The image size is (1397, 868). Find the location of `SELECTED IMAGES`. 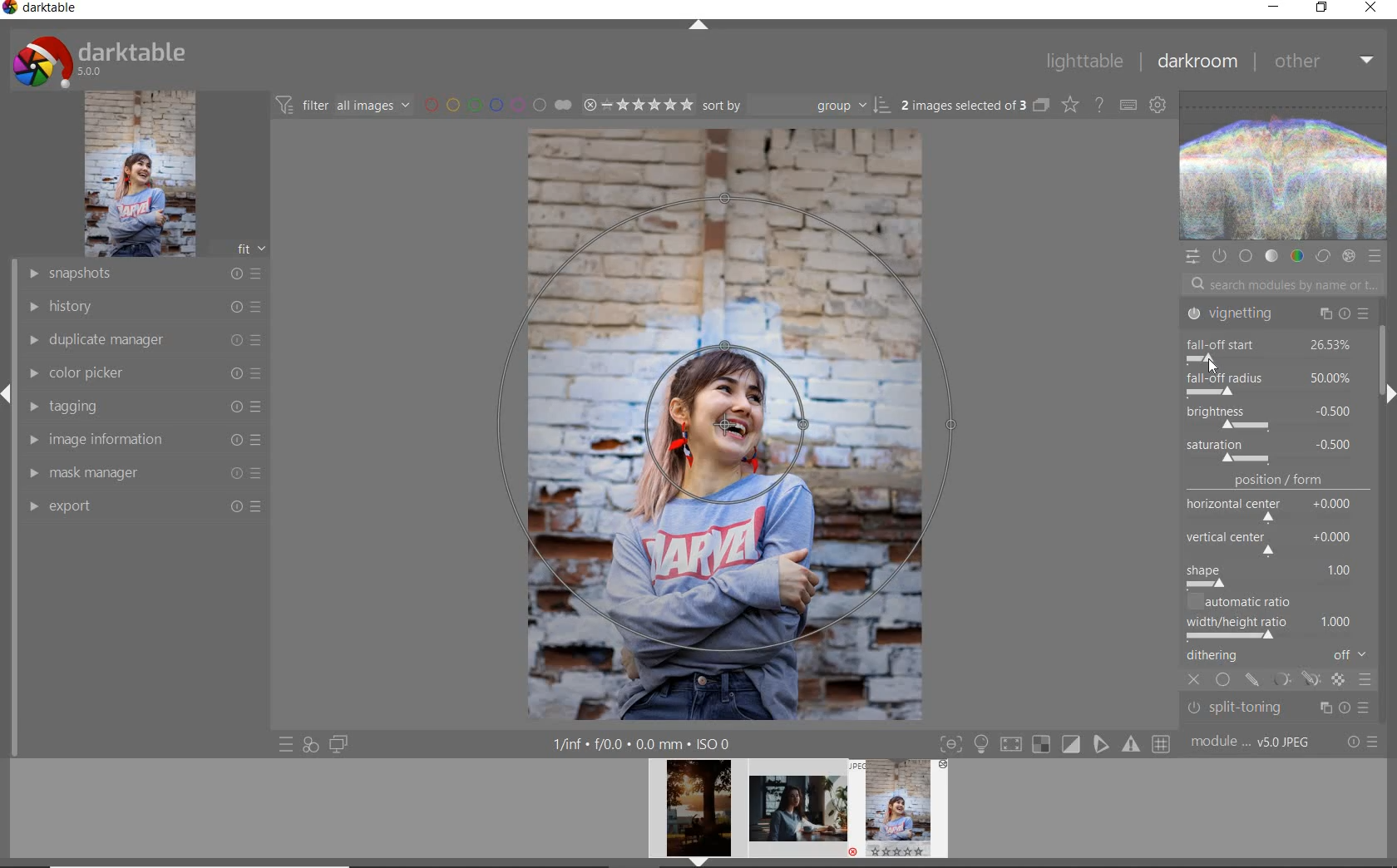

SELECTED IMAGES is located at coordinates (964, 102).